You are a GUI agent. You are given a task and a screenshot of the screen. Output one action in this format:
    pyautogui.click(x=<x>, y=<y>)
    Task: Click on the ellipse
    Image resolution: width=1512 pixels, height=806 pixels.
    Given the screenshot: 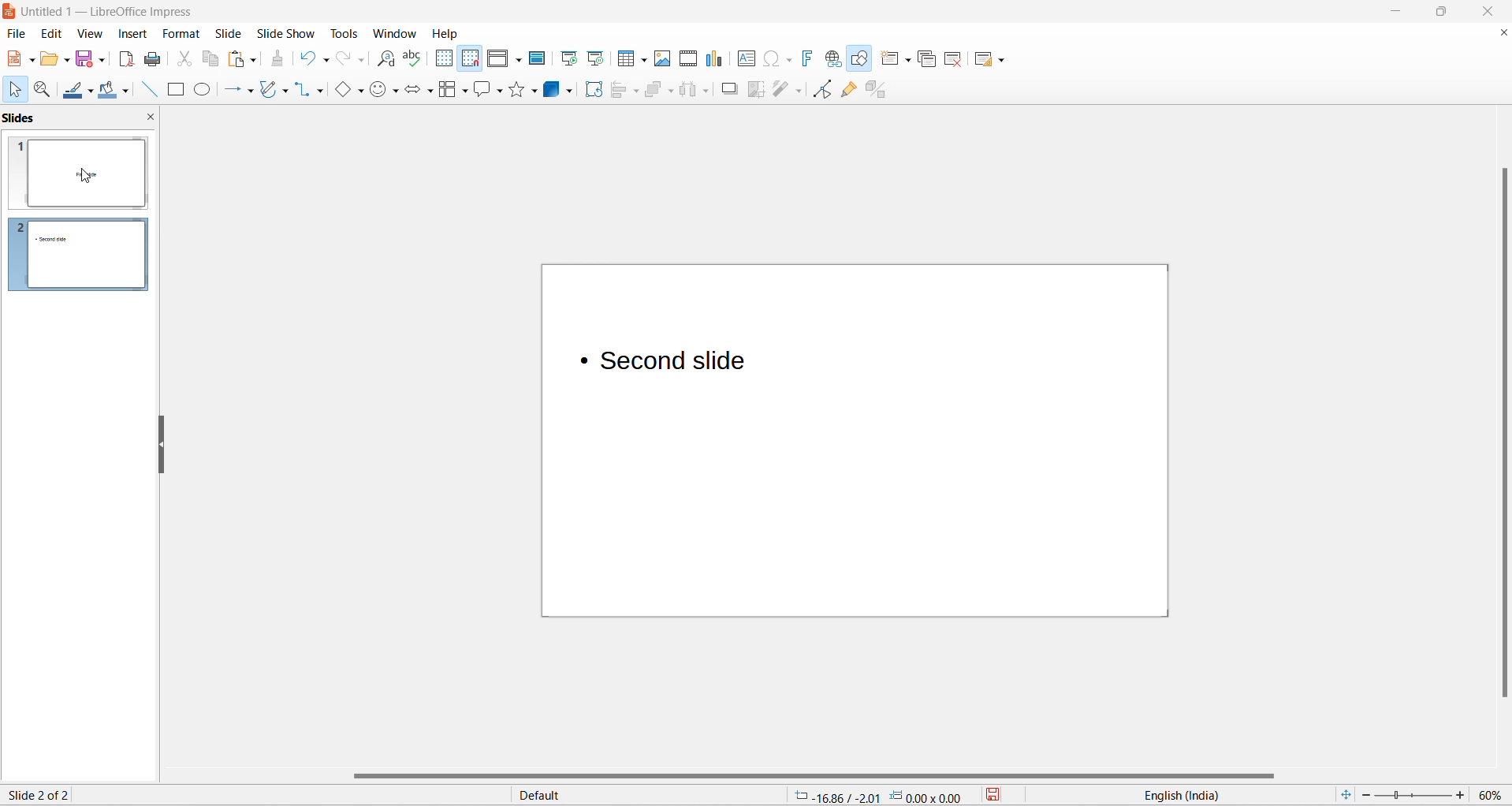 What is the action you would take?
    pyautogui.click(x=203, y=91)
    